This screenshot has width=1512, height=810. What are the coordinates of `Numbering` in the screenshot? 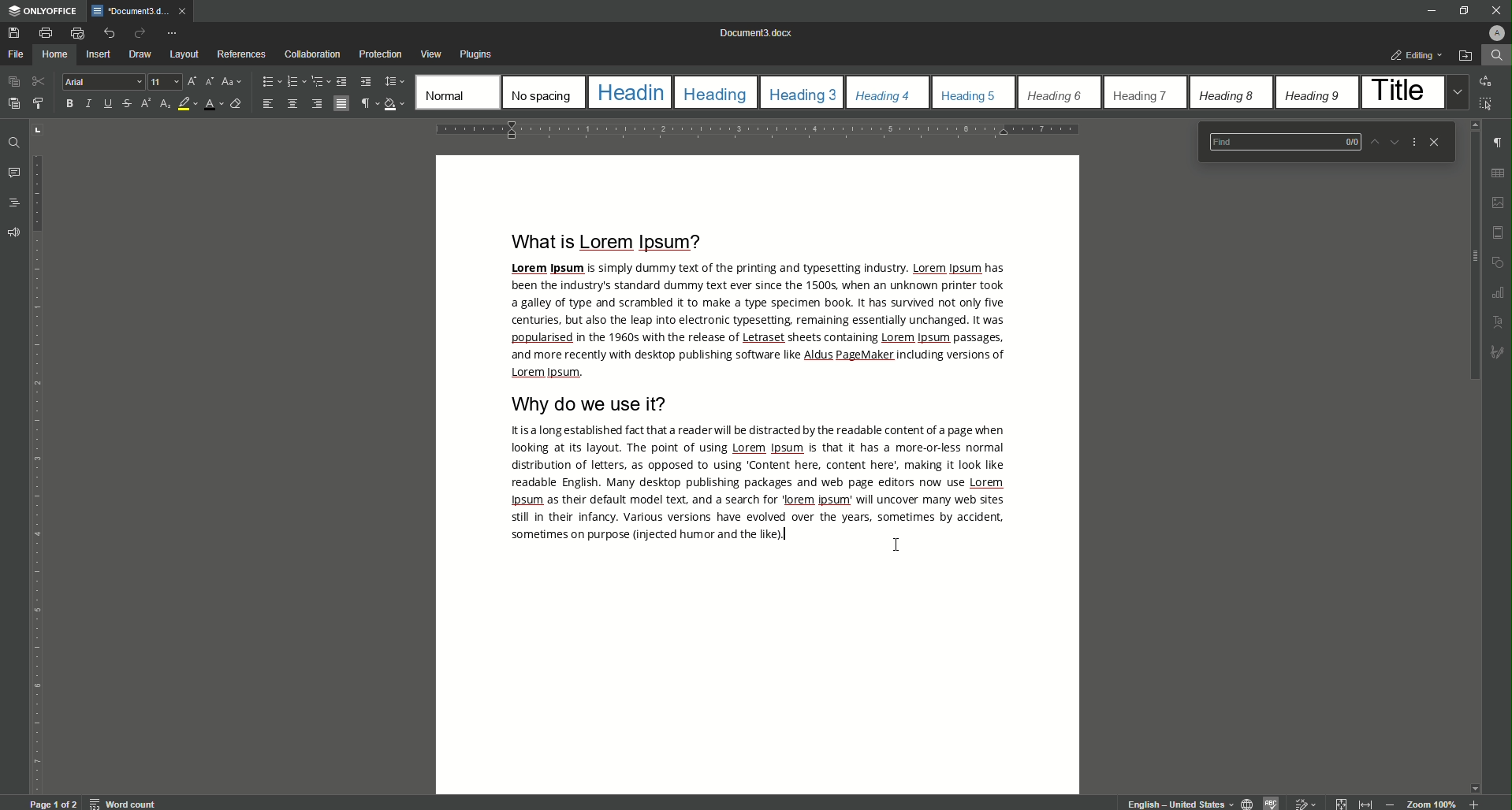 It's located at (292, 82).